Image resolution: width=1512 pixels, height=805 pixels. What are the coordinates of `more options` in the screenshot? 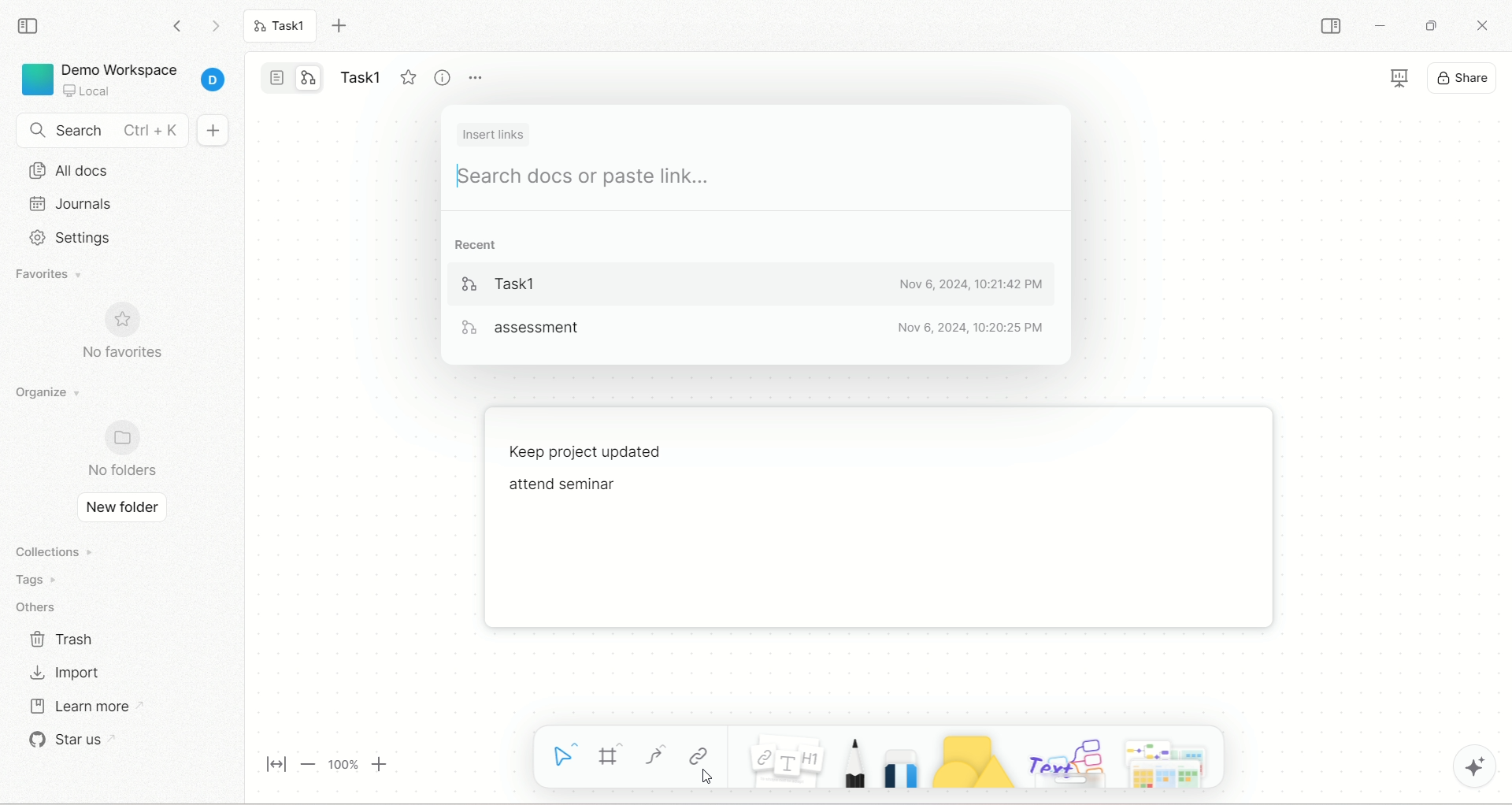 It's located at (480, 81).